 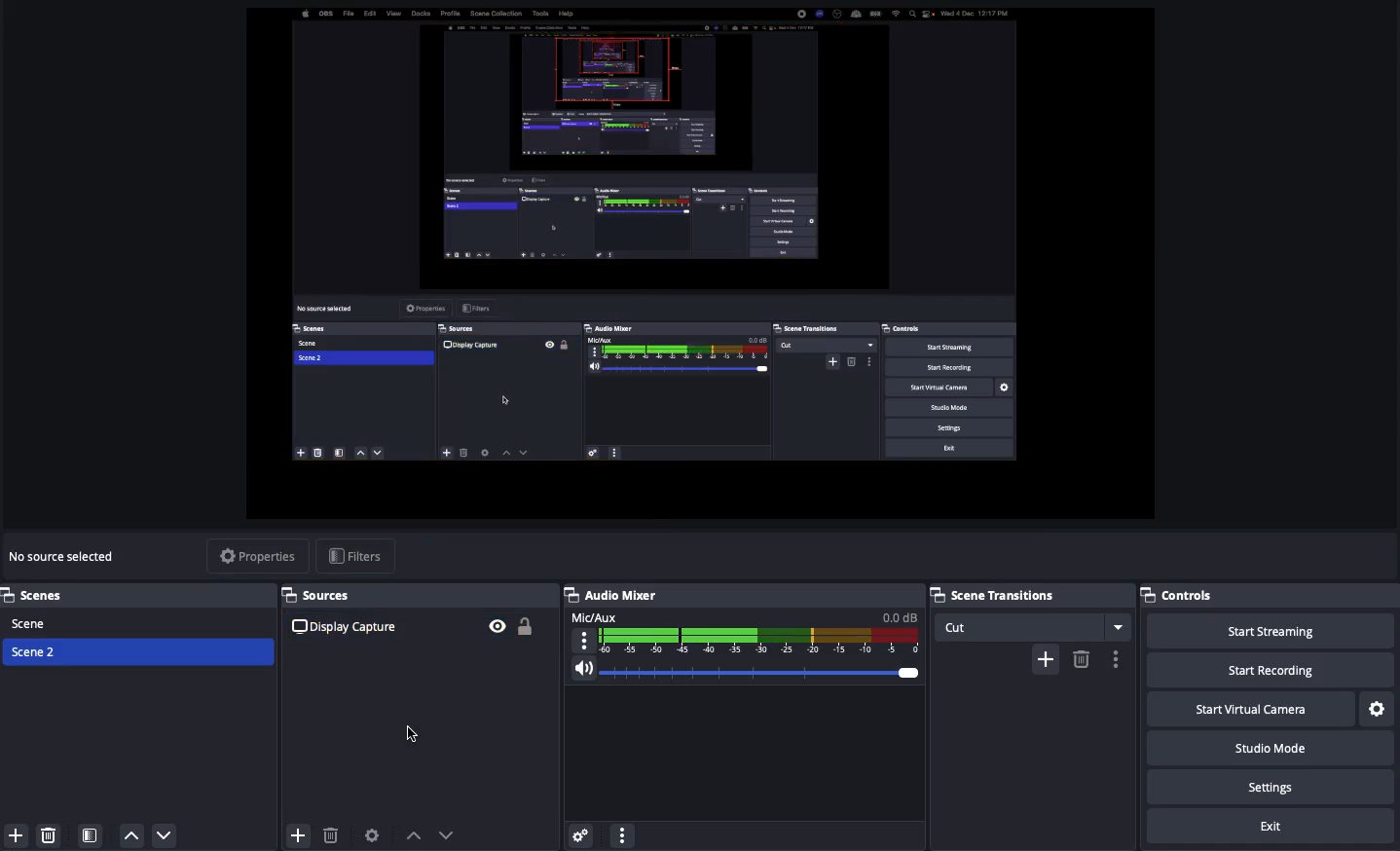 What do you see at coordinates (747, 669) in the screenshot?
I see `Volume` at bounding box center [747, 669].